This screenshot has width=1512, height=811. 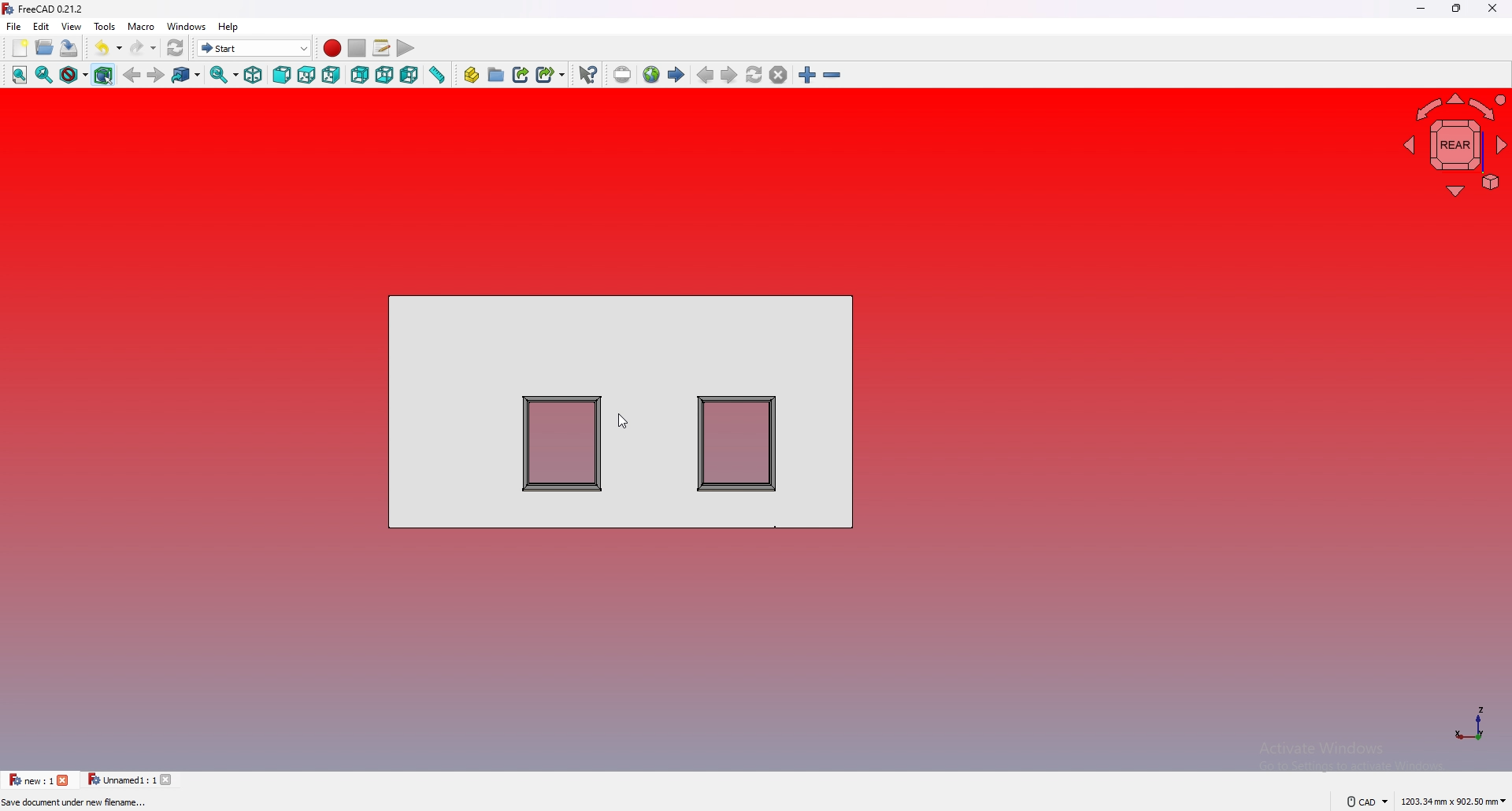 I want to click on left, so click(x=409, y=76).